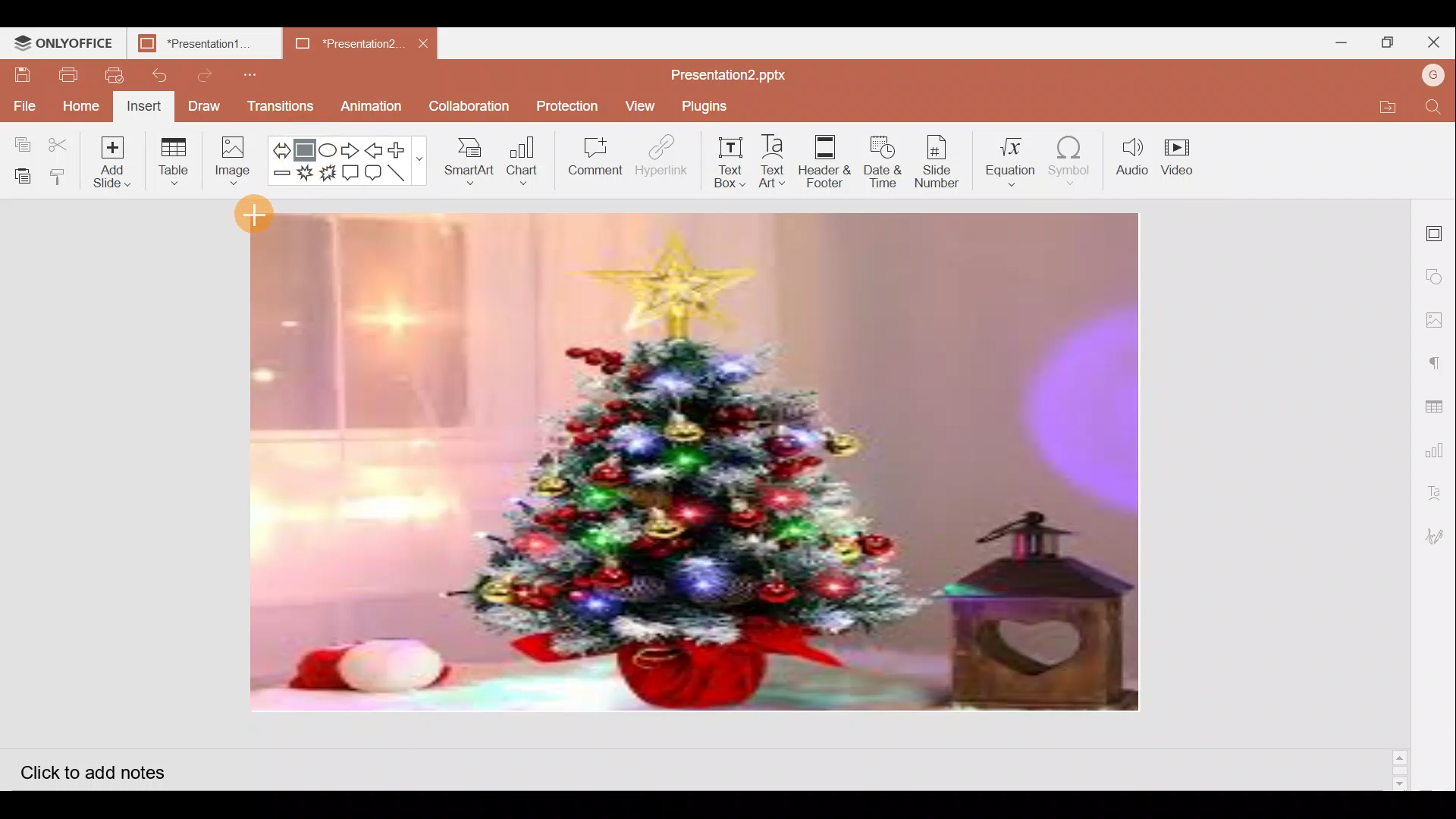 The height and width of the screenshot is (819, 1456). Describe the element at coordinates (1182, 162) in the screenshot. I see `Video` at that location.